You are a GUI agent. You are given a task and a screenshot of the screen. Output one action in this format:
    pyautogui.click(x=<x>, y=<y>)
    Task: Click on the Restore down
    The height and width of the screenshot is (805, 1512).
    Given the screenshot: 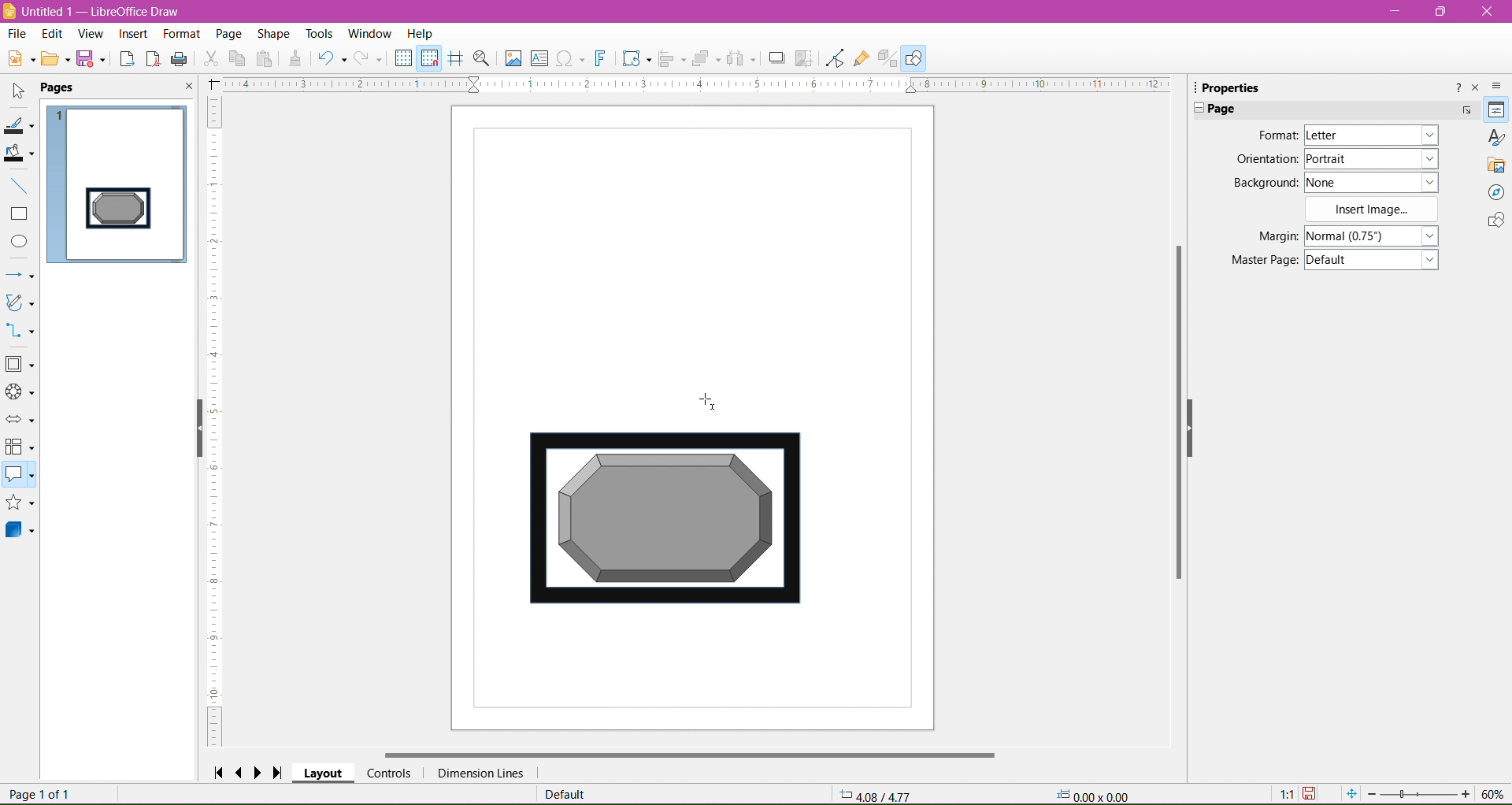 What is the action you would take?
    pyautogui.click(x=1443, y=12)
    